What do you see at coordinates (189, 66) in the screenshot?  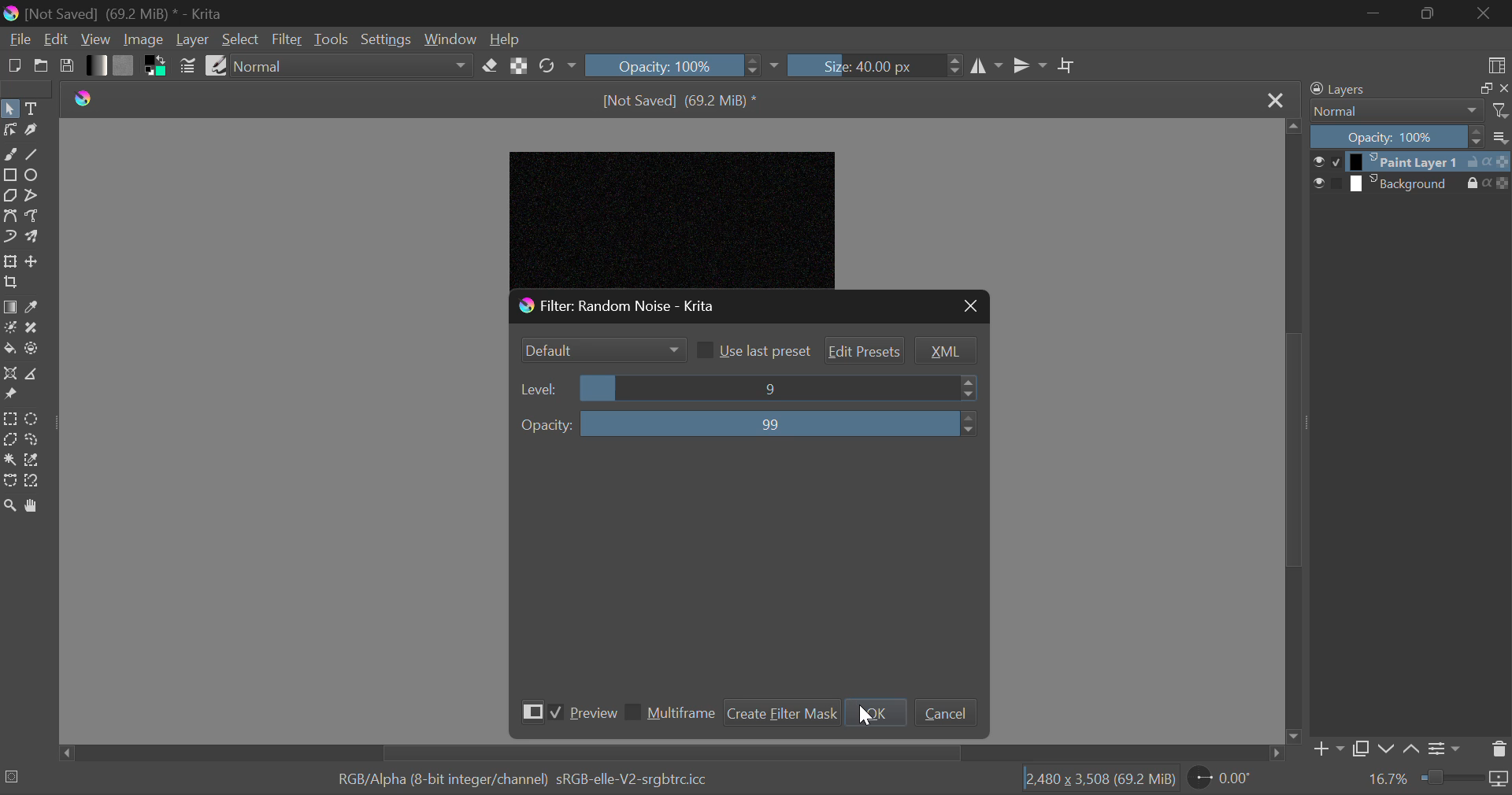 I see `Brush Settings` at bounding box center [189, 66].